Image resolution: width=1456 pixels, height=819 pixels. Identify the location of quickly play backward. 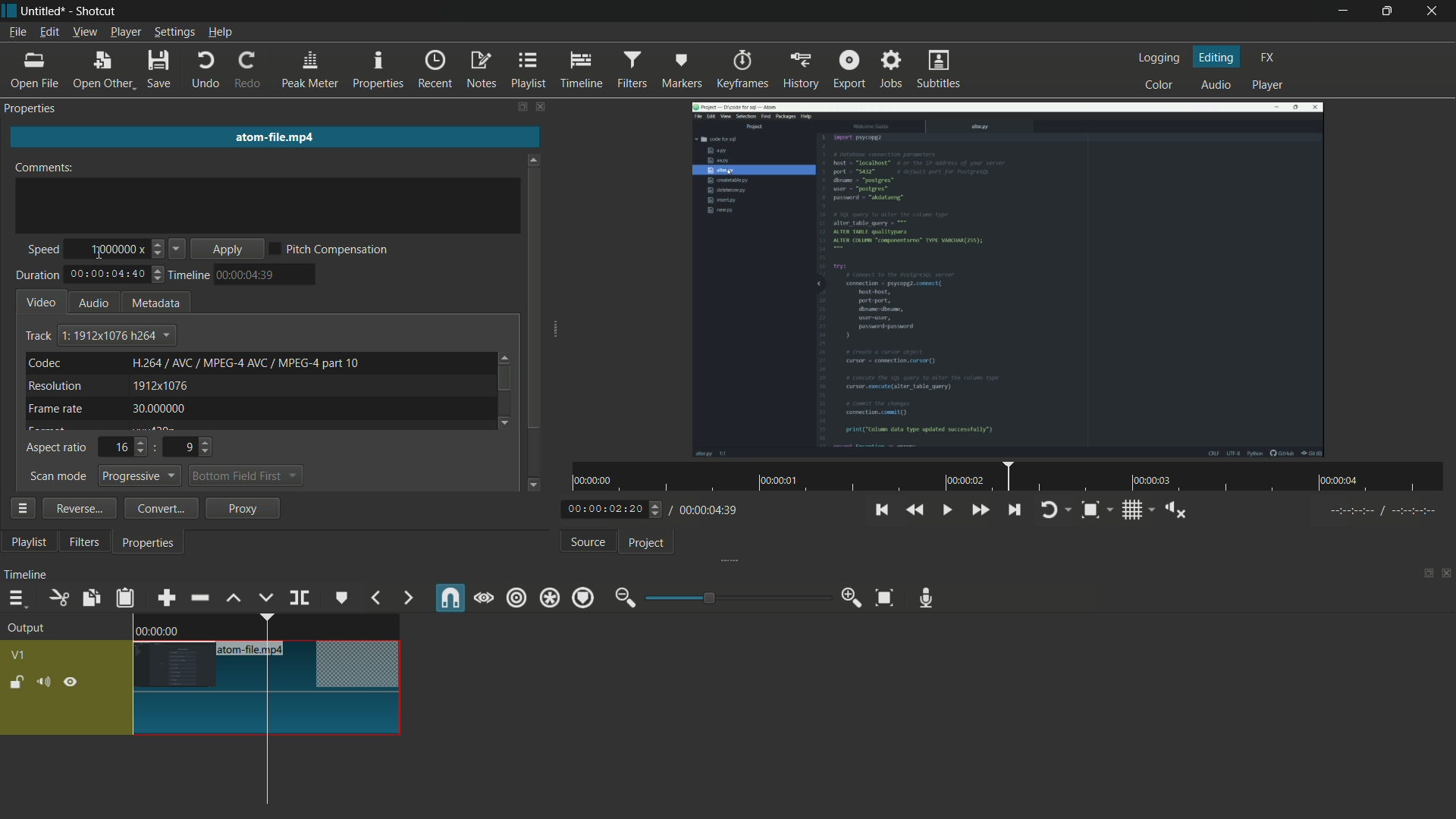
(915, 510).